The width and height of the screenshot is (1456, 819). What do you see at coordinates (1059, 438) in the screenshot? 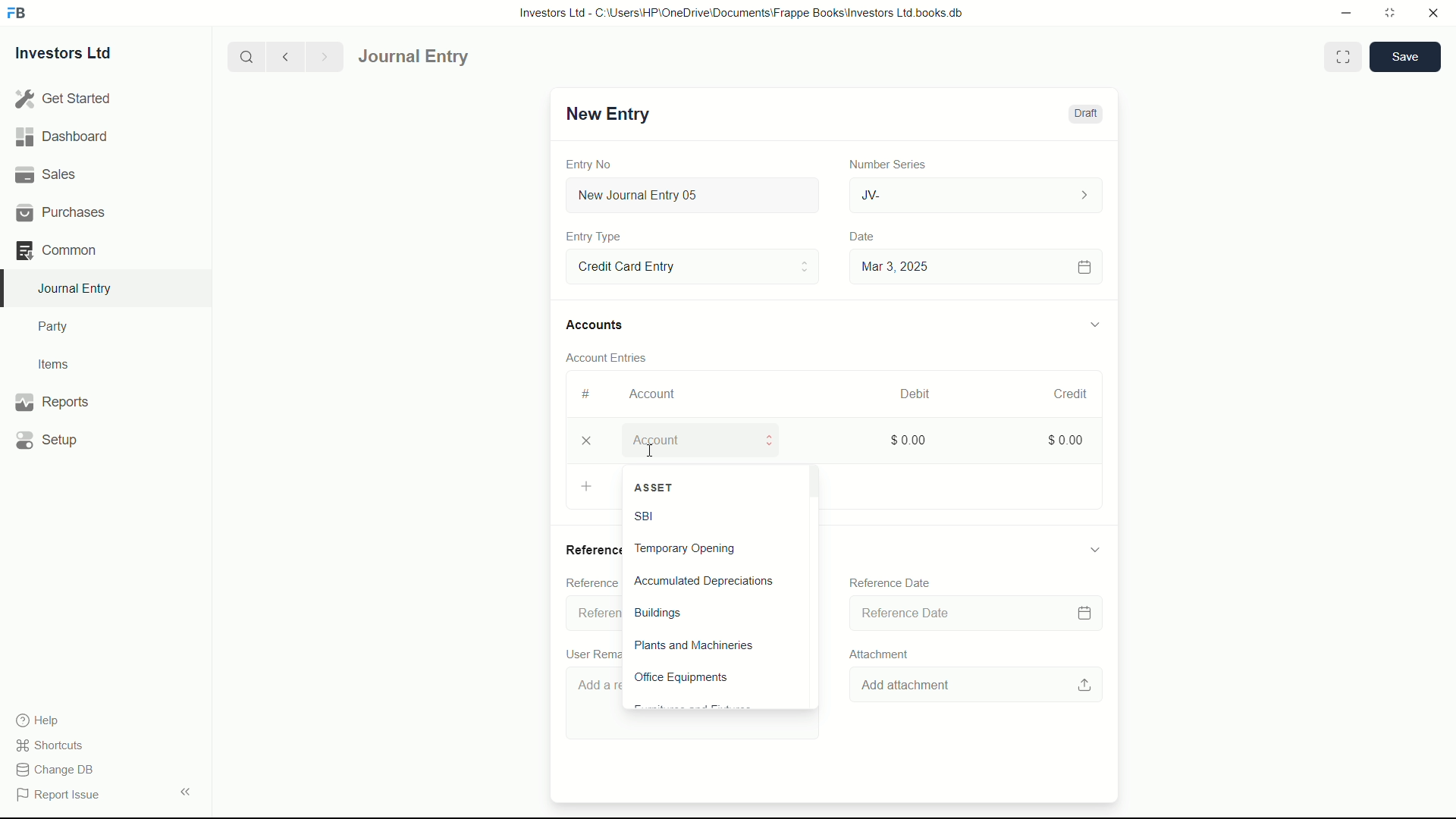
I see `$0.00` at bounding box center [1059, 438].